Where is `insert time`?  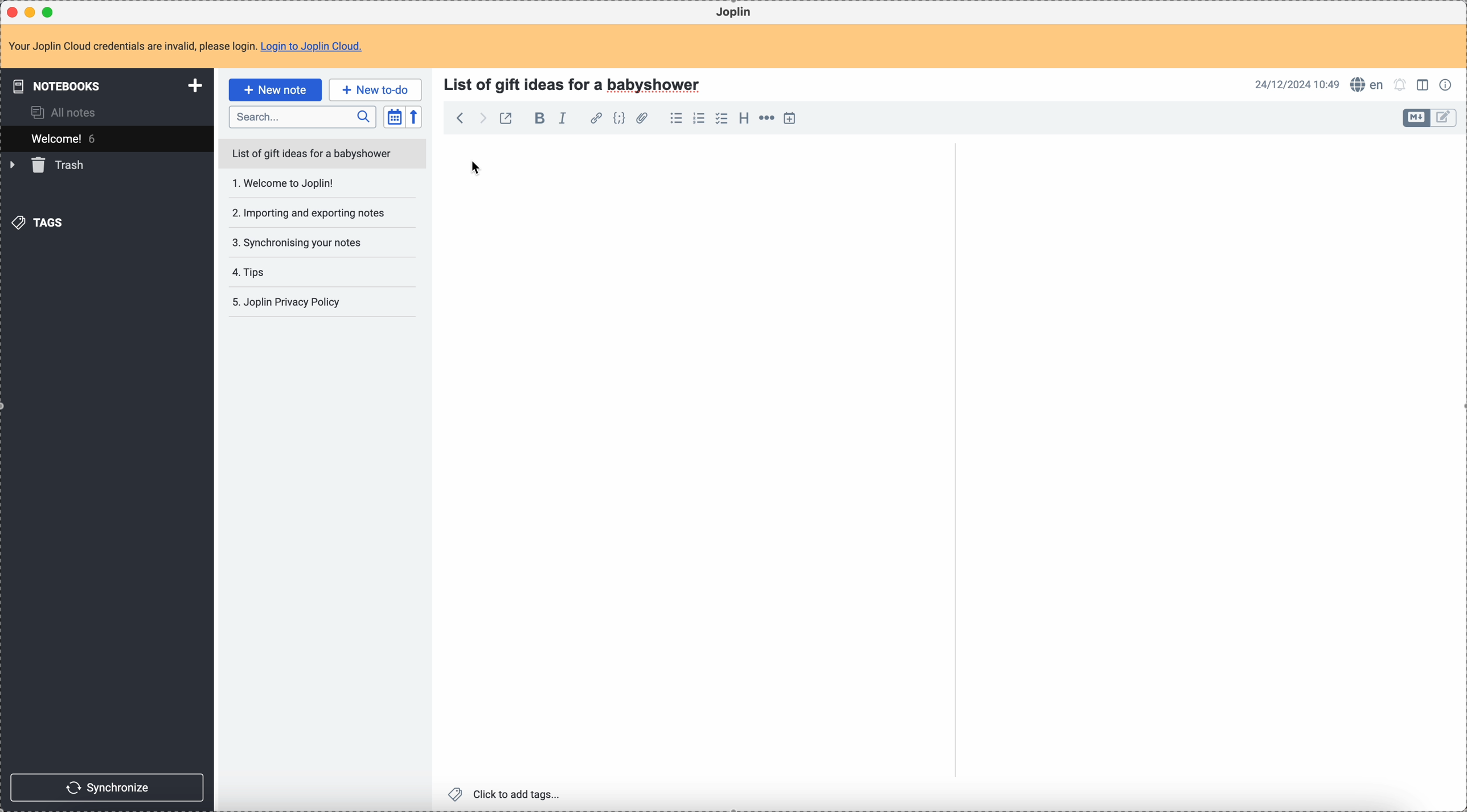 insert time is located at coordinates (793, 118).